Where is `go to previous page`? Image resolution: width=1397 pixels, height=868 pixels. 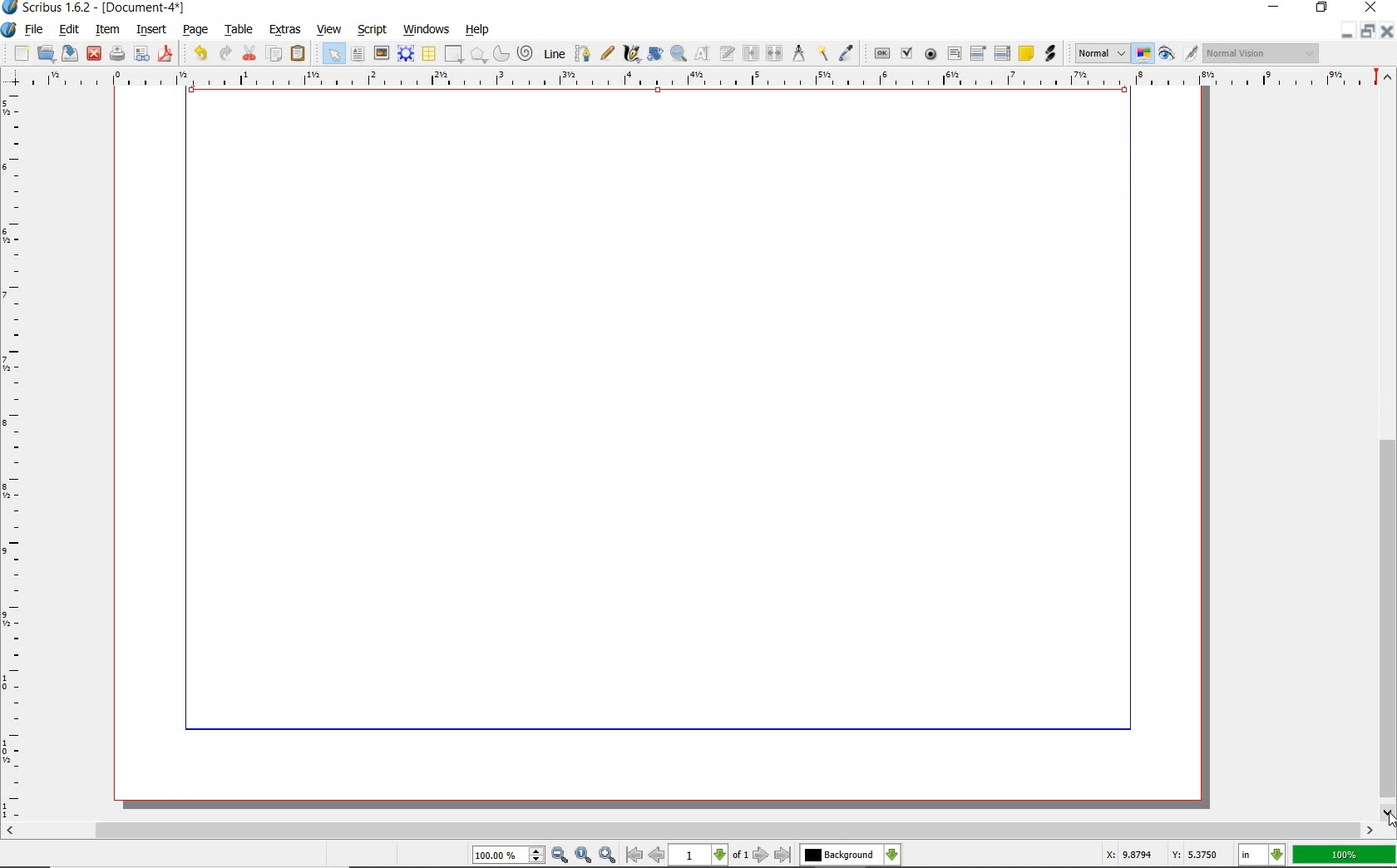 go to previous page is located at coordinates (658, 856).